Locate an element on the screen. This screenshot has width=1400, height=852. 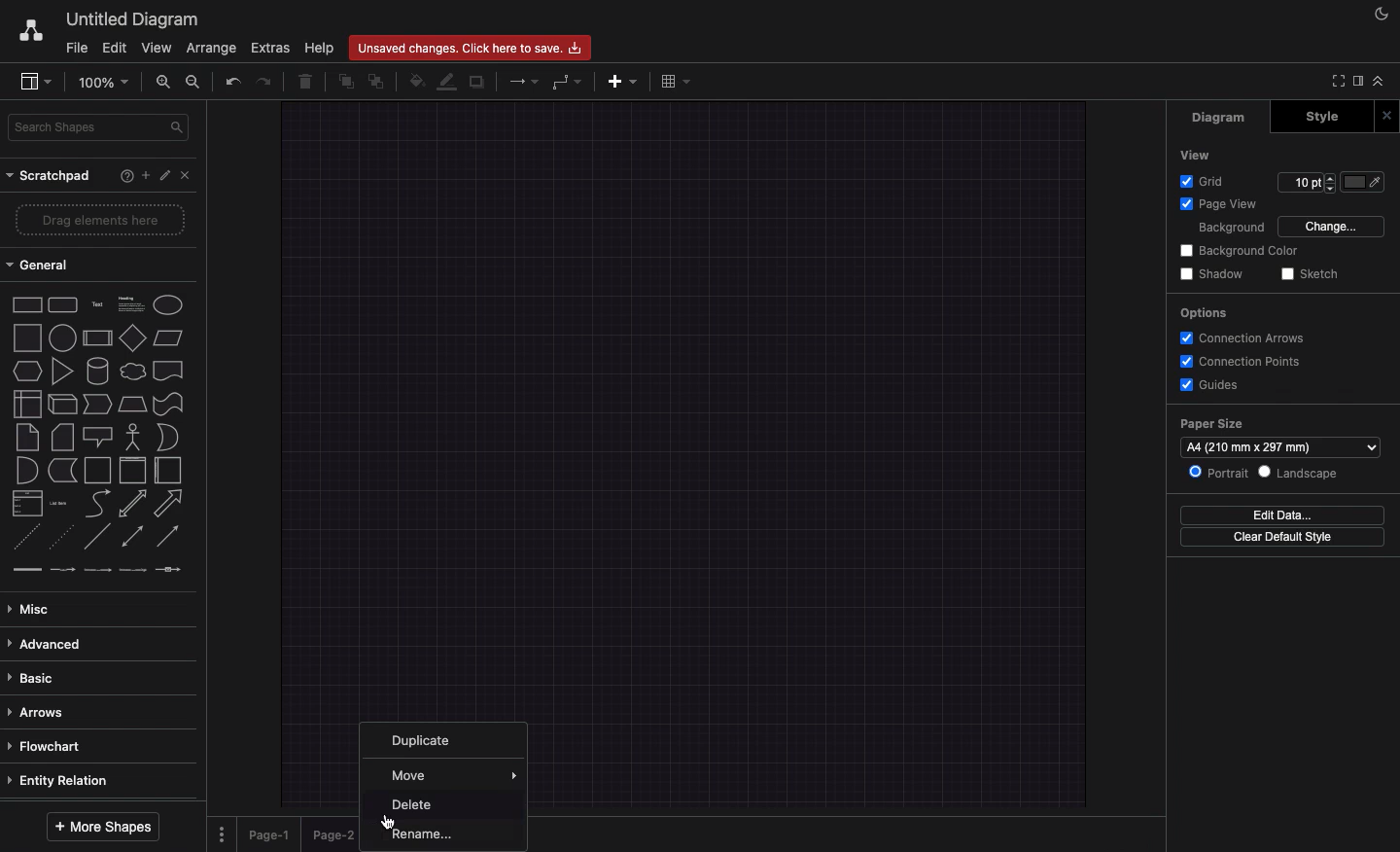
Page view is located at coordinates (1220, 204).